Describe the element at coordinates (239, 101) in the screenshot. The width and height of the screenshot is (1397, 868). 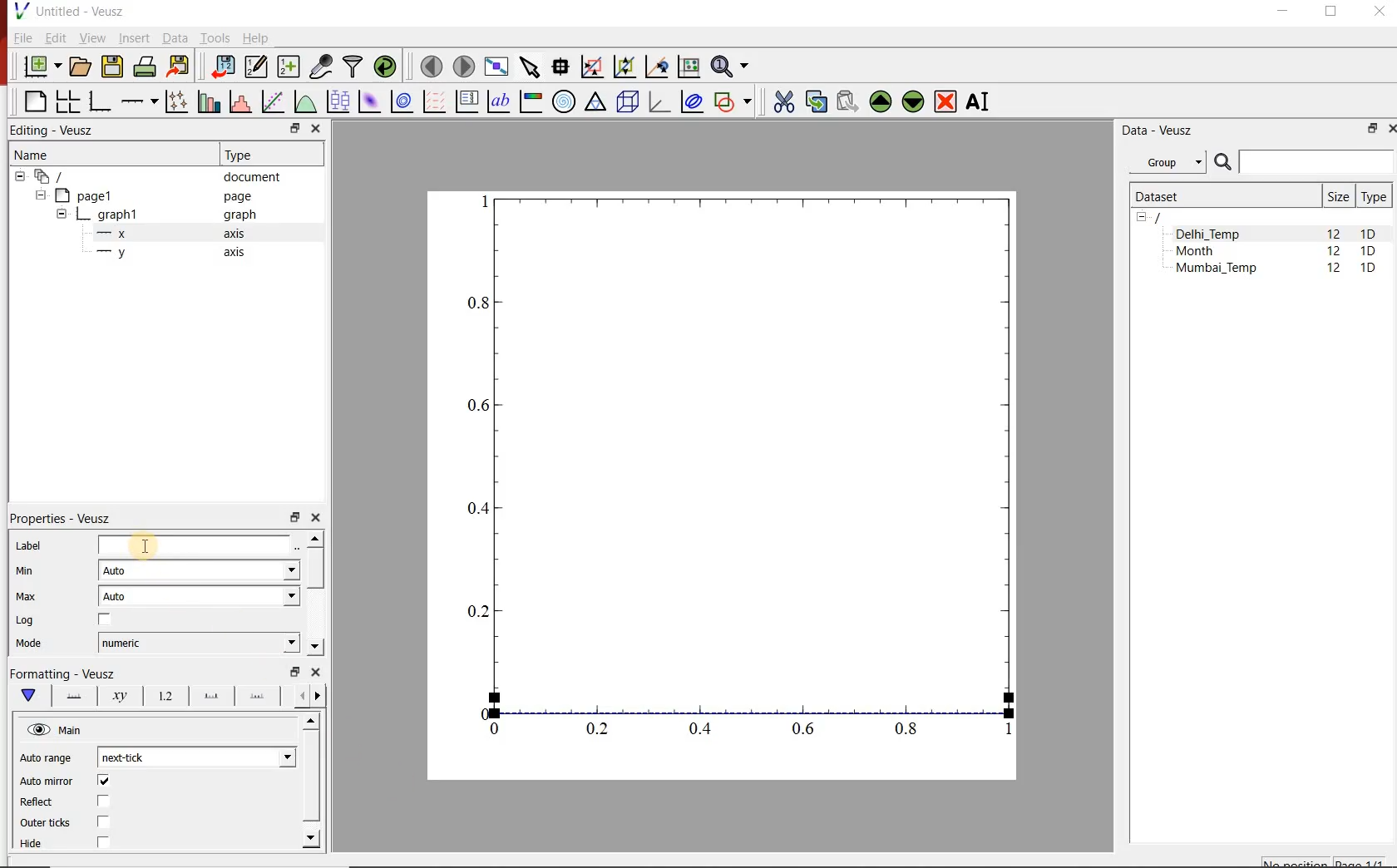
I see `histogram of a dataset` at that location.